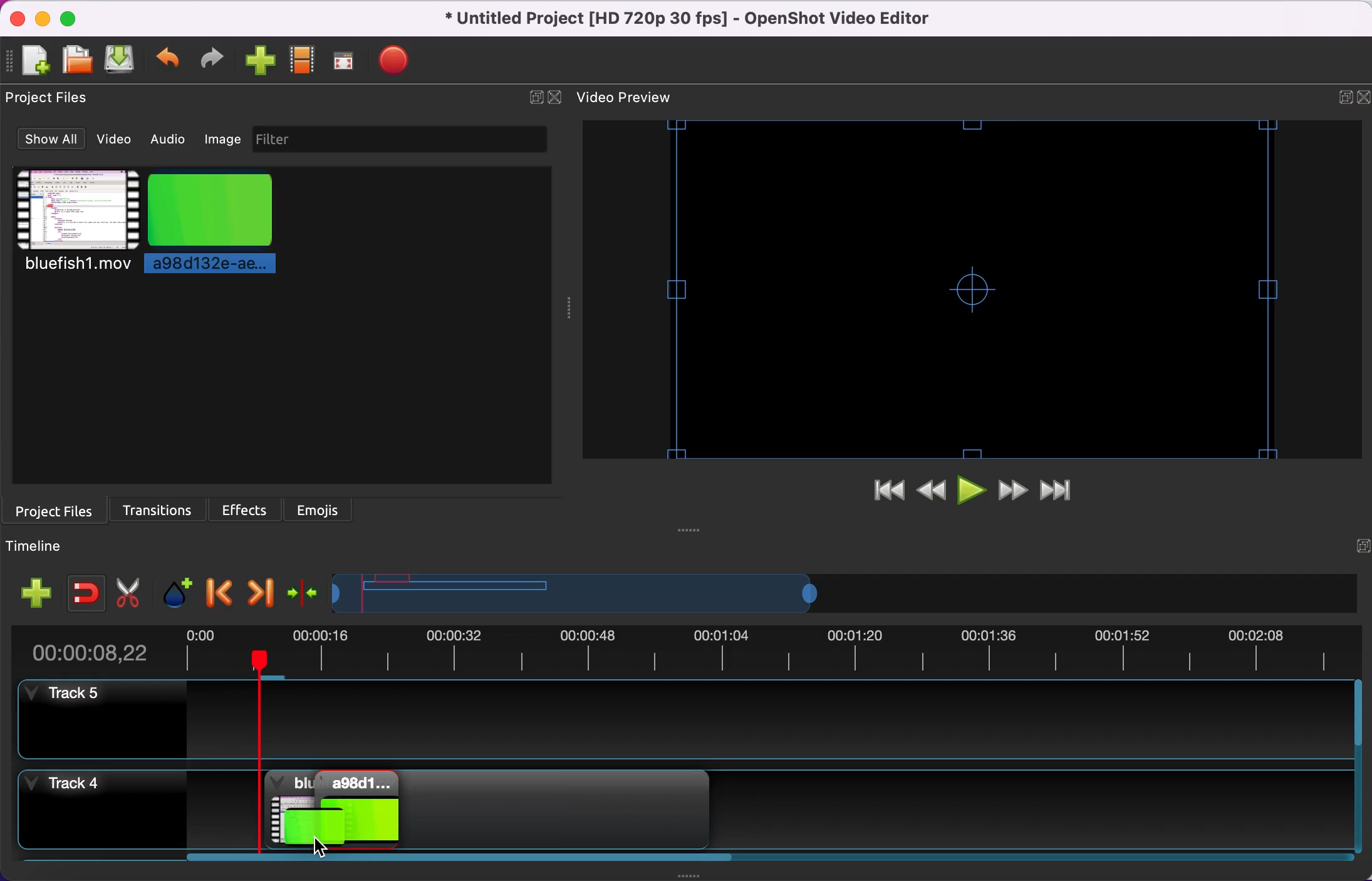 This screenshot has width=1372, height=881. Describe the element at coordinates (74, 225) in the screenshot. I see `video` at that location.